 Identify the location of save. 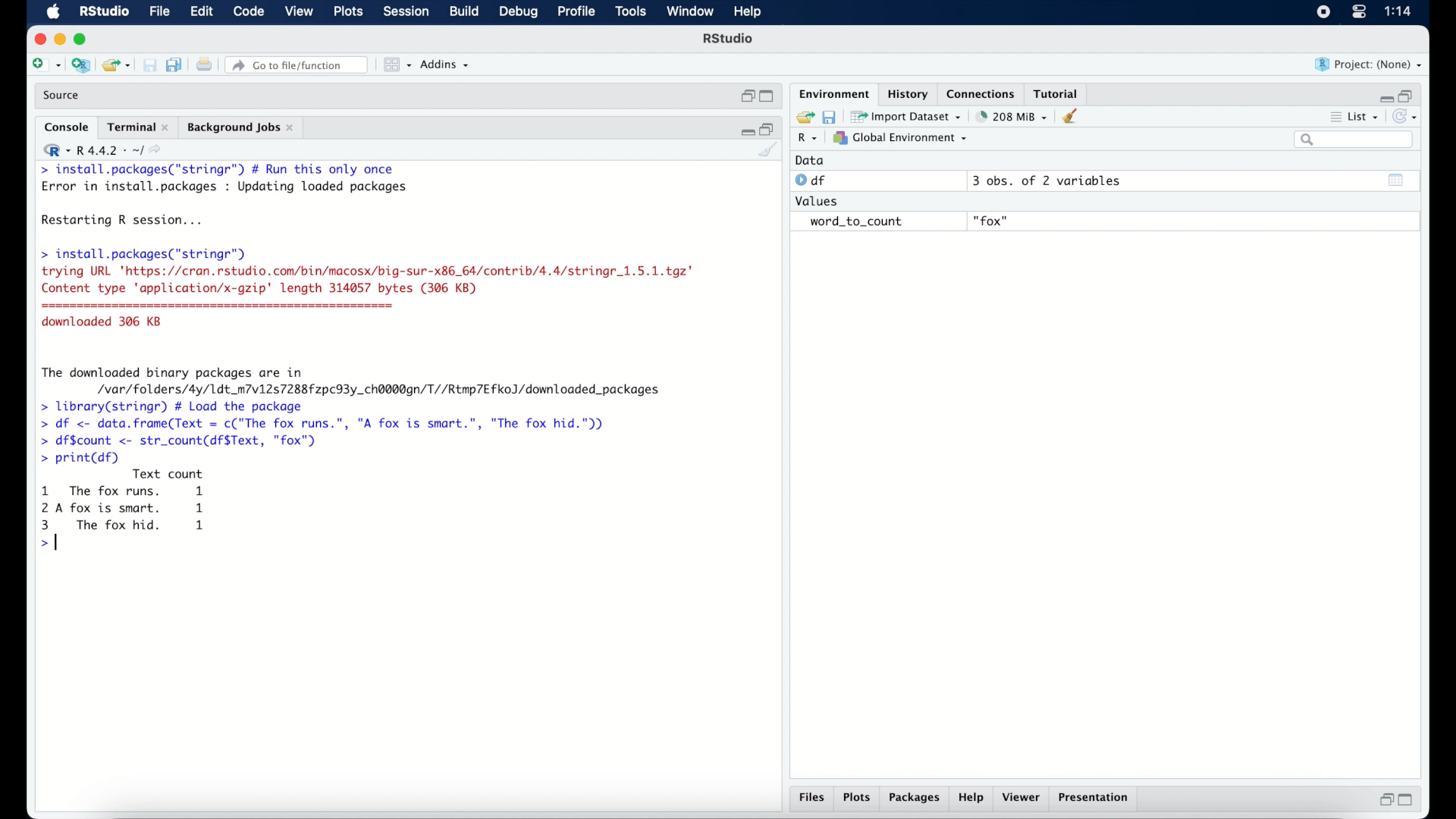
(152, 66).